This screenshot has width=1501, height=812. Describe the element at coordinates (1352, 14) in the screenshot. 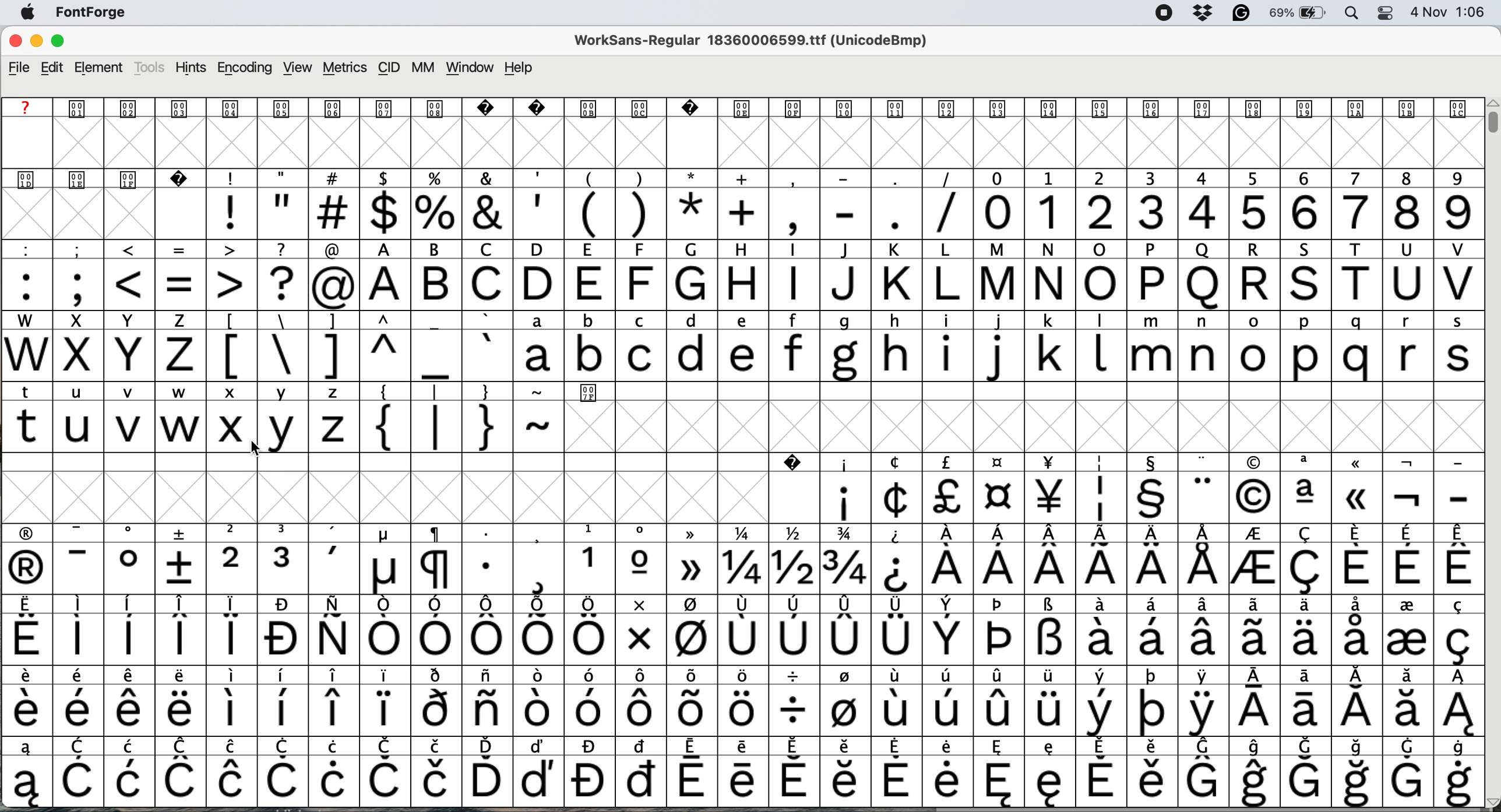

I see `spotlight search` at that location.